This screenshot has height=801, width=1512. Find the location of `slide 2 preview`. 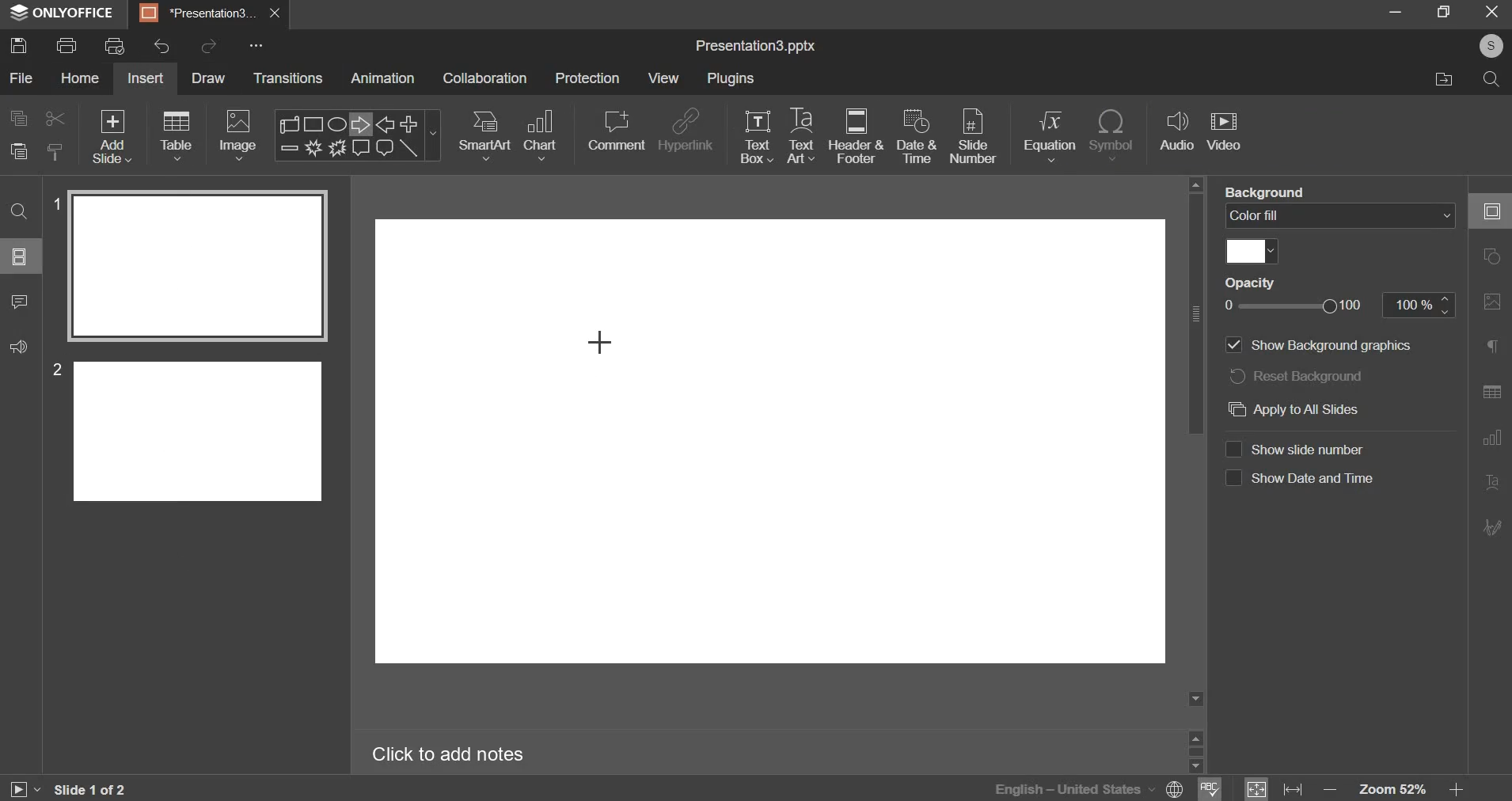

slide 2 preview is located at coordinates (199, 429).